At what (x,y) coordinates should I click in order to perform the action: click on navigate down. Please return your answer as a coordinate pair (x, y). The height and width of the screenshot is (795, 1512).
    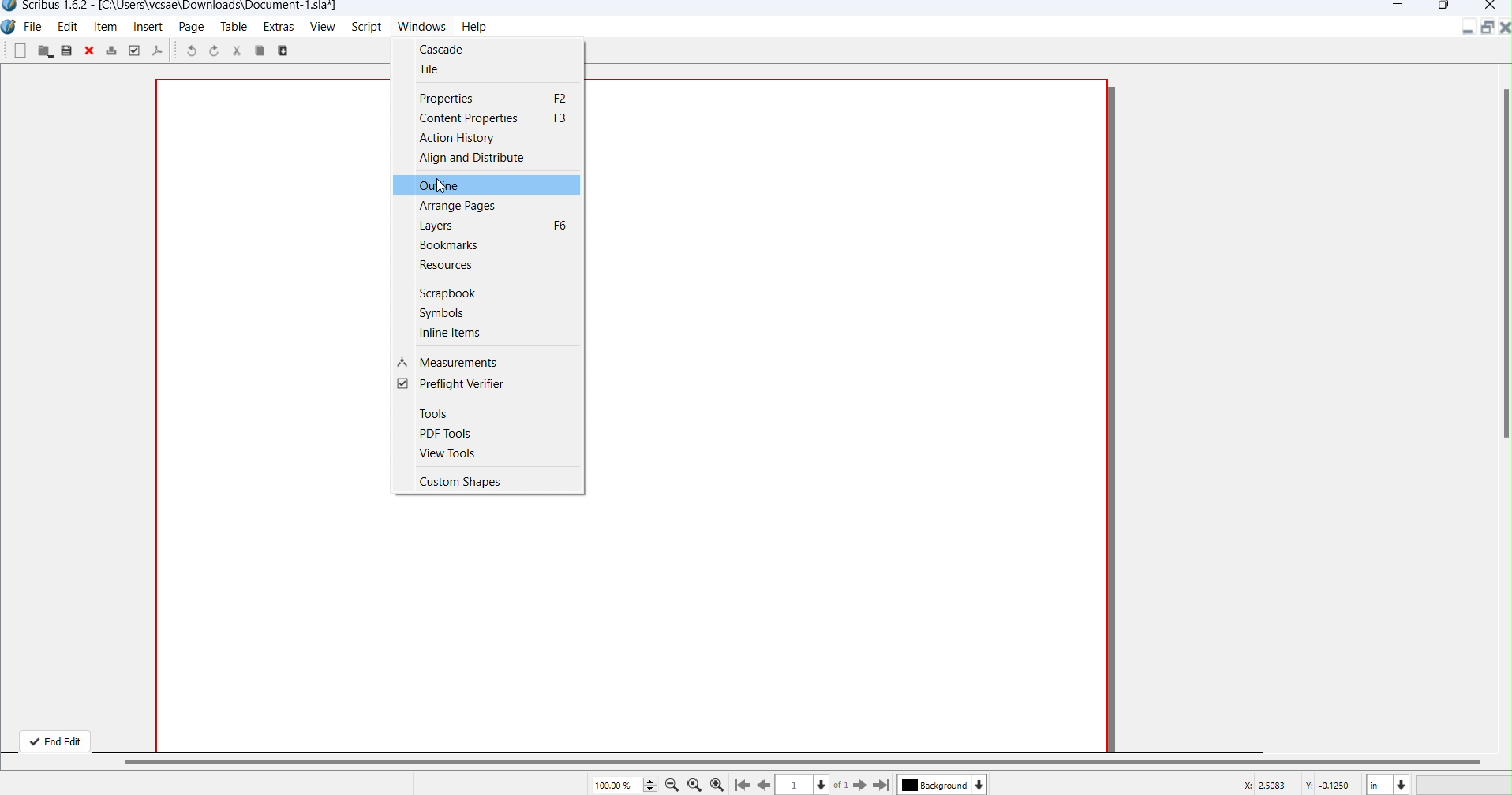
    Looking at the image, I should click on (823, 782).